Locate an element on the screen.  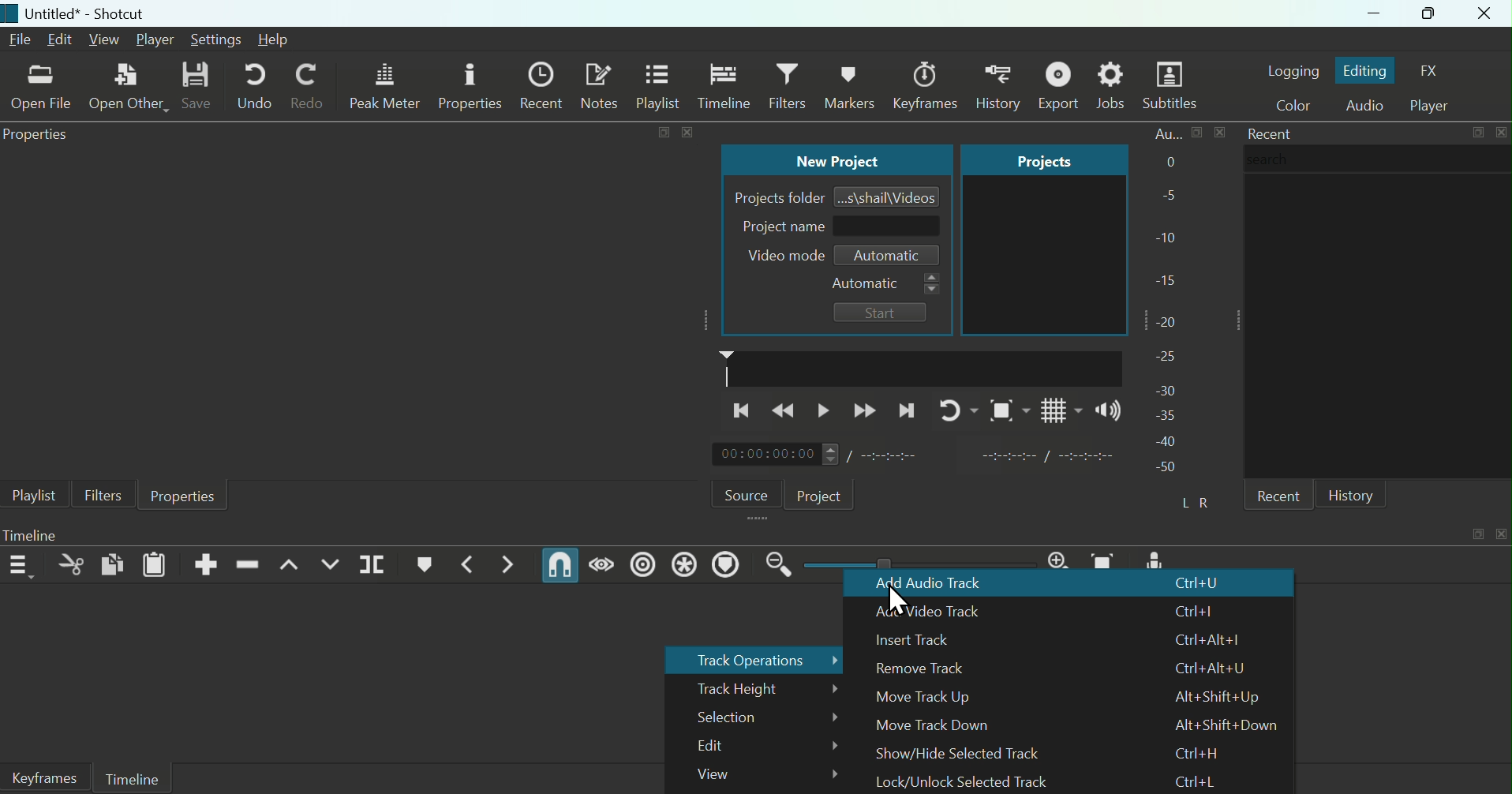
Overwrite is located at coordinates (331, 565).